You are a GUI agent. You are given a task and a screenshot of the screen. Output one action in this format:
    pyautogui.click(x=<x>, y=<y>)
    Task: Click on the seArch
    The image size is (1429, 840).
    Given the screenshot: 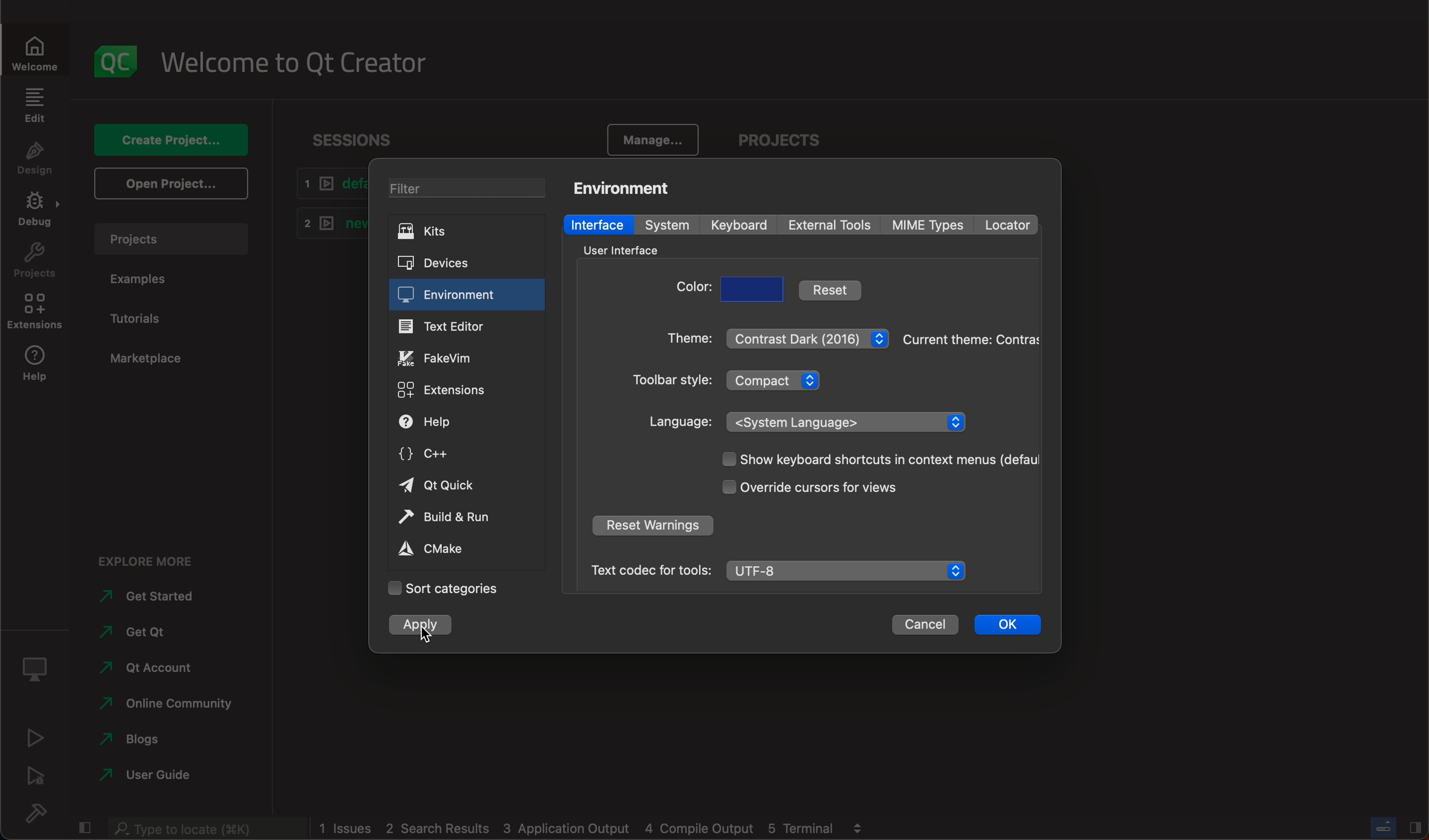 What is the action you would take?
    pyautogui.click(x=204, y=828)
    